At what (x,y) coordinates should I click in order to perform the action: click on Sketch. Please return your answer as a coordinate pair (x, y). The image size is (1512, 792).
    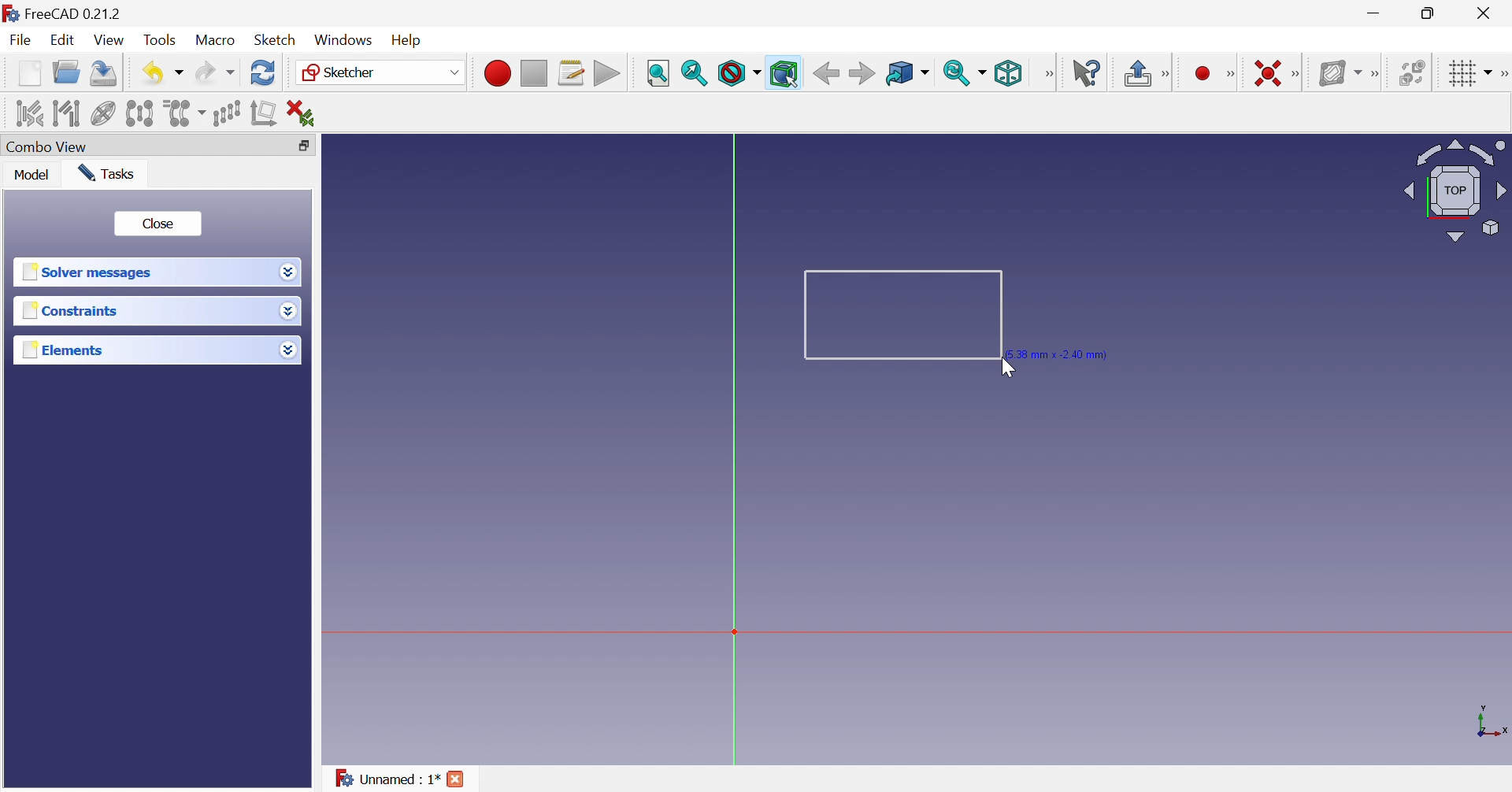
    Looking at the image, I should click on (277, 39).